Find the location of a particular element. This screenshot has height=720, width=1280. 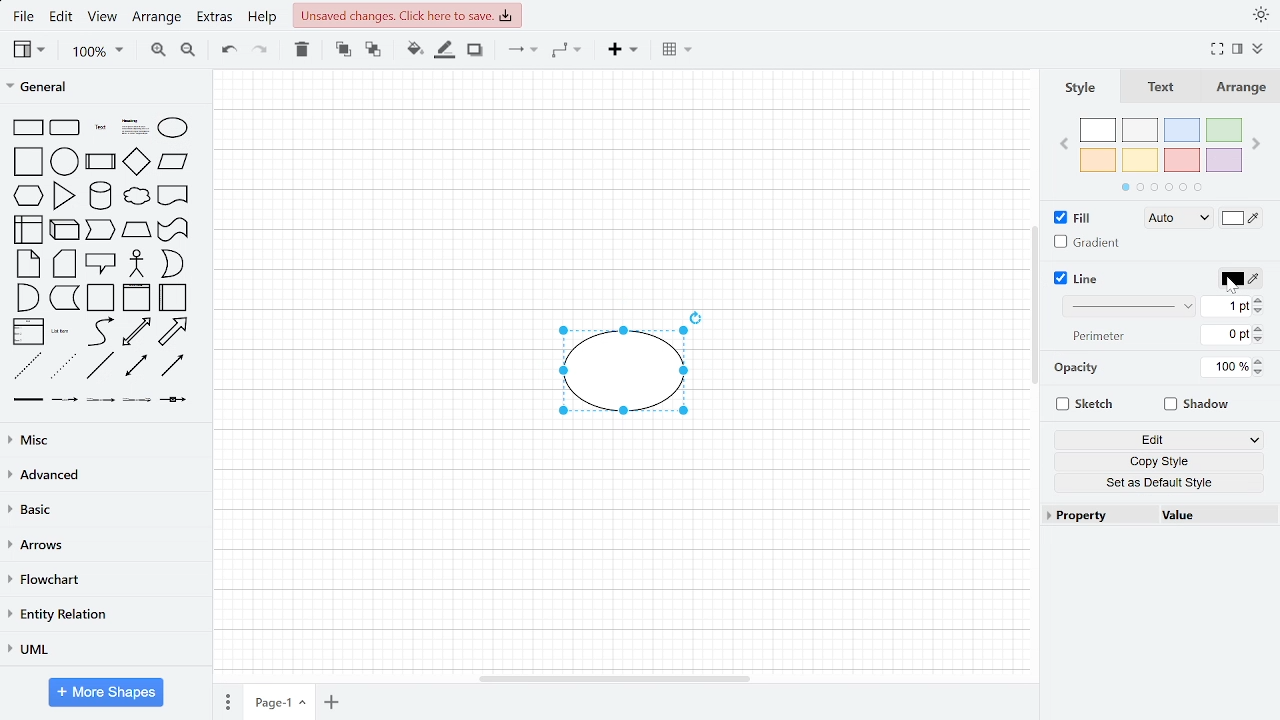

curve is located at coordinates (100, 332).